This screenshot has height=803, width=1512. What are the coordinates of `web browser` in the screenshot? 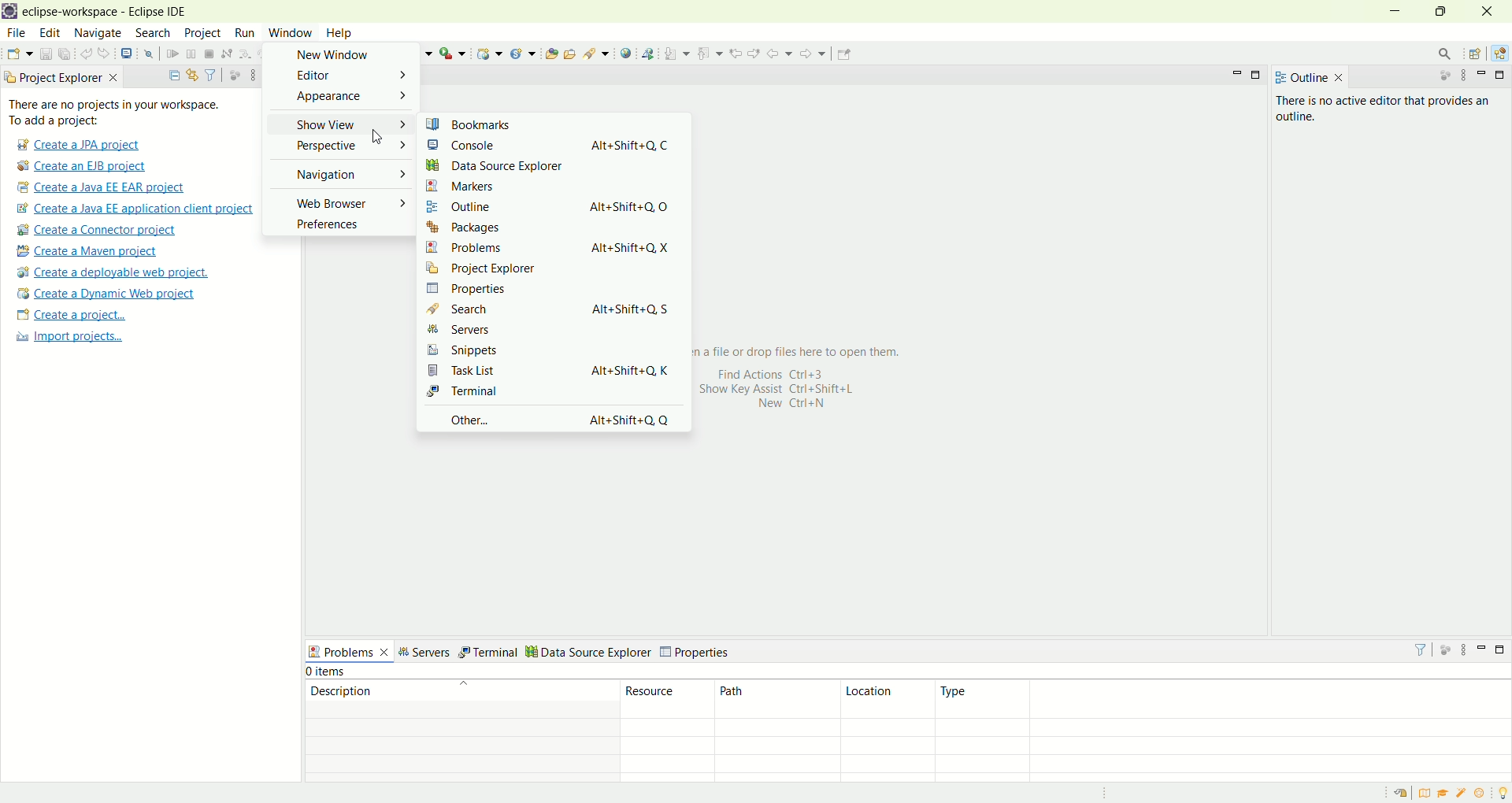 It's located at (339, 205).